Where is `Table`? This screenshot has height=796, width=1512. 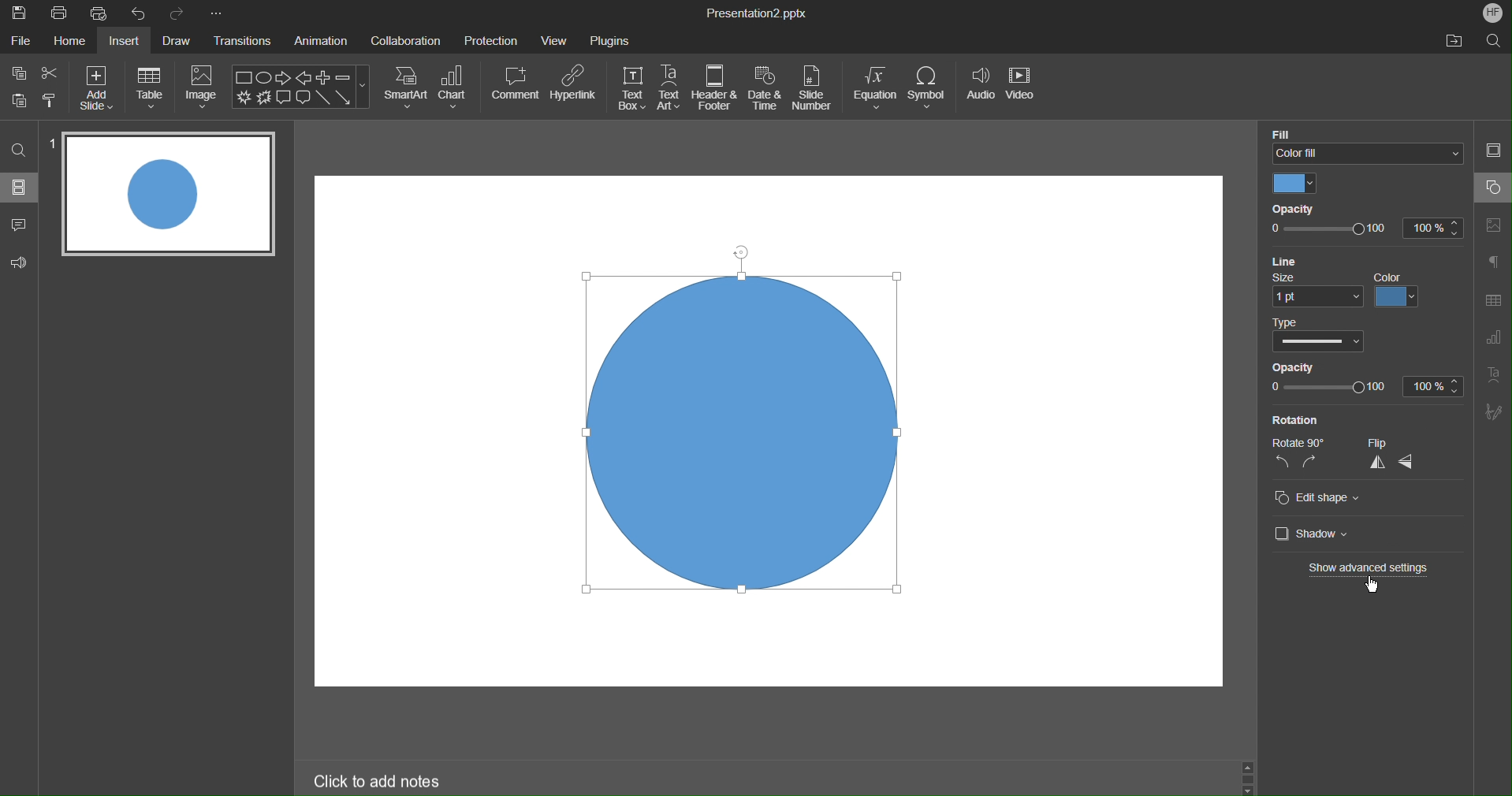
Table is located at coordinates (150, 87).